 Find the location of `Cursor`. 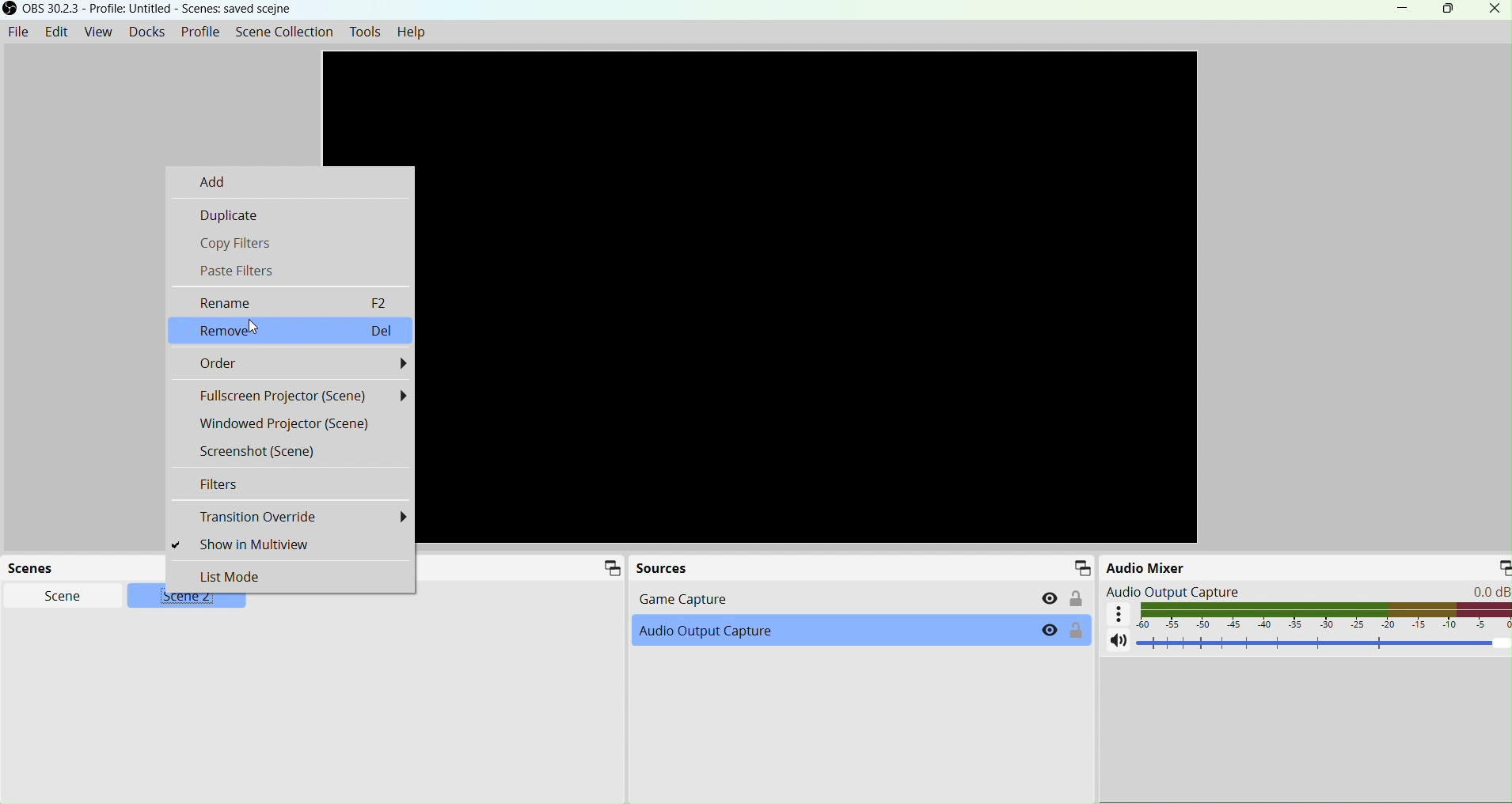

Cursor is located at coordinates (257, 327).